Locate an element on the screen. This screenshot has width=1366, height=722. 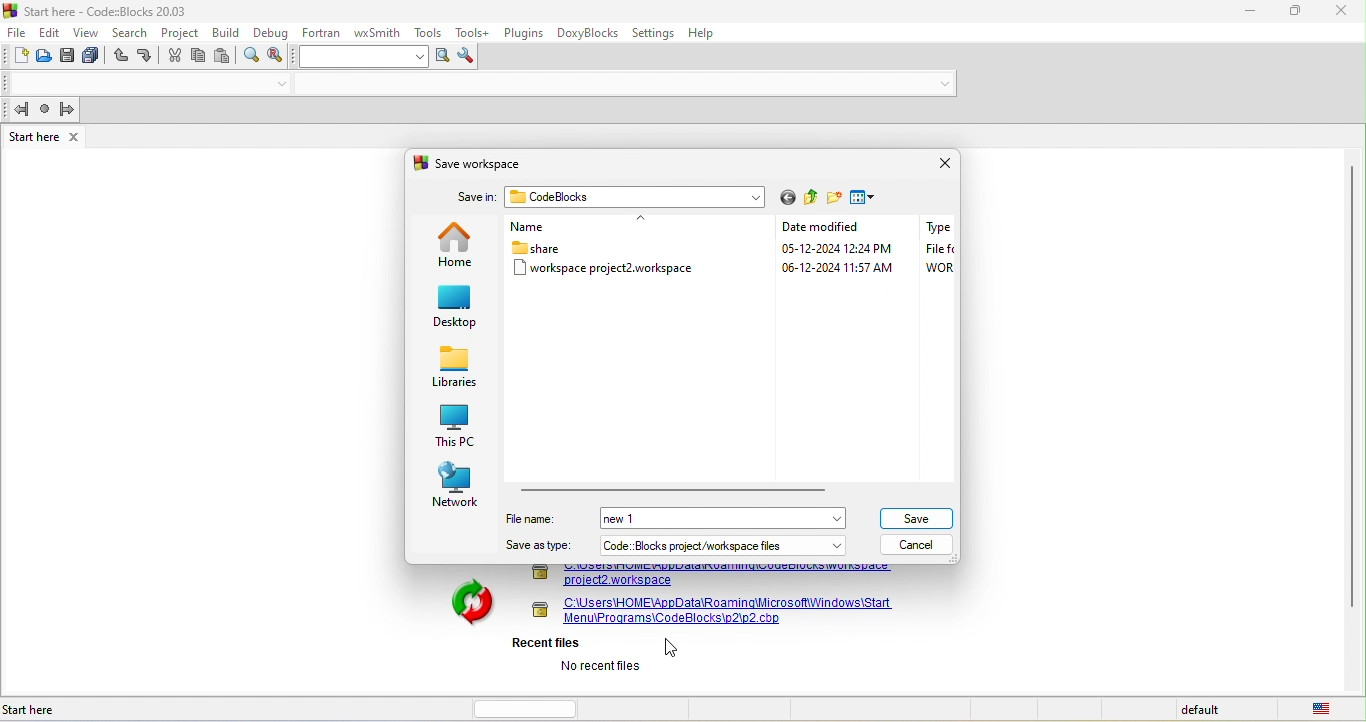
run search is located at coordinates (441, 57).